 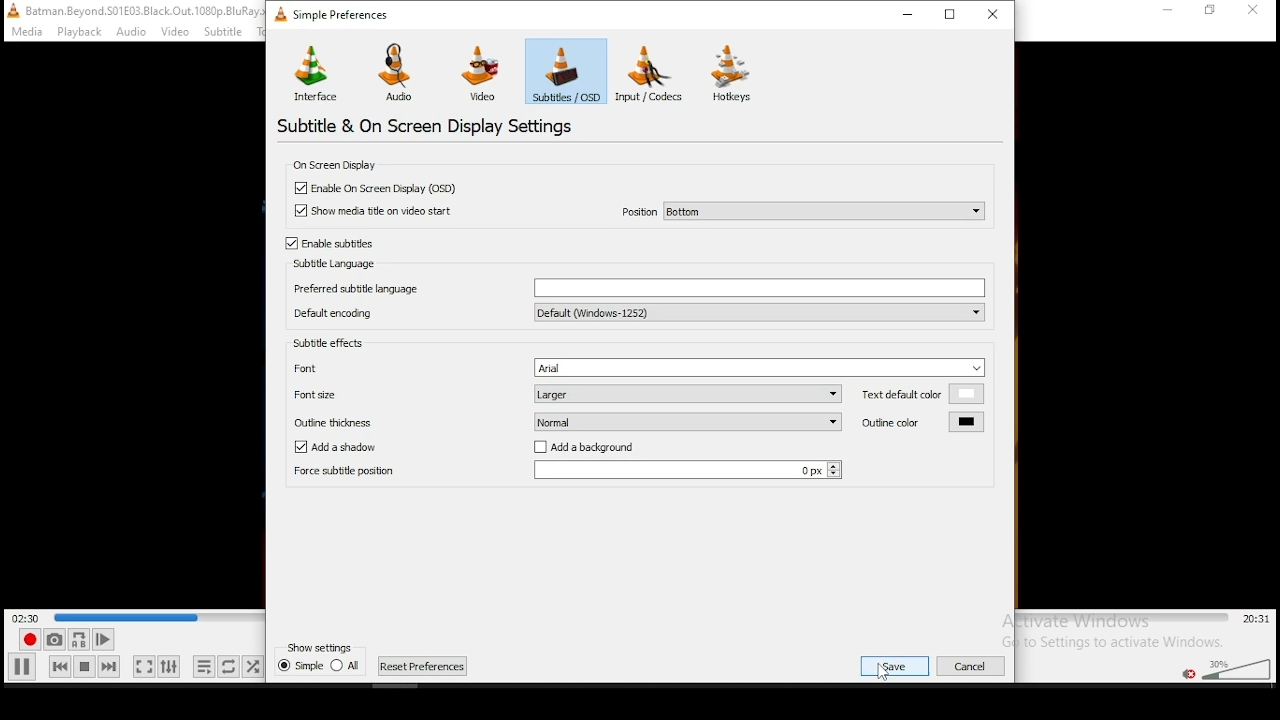 What do you see at coordinates (171, 666) in the screenshot?
I see `show extended settings` at bounding box center [171, 666].